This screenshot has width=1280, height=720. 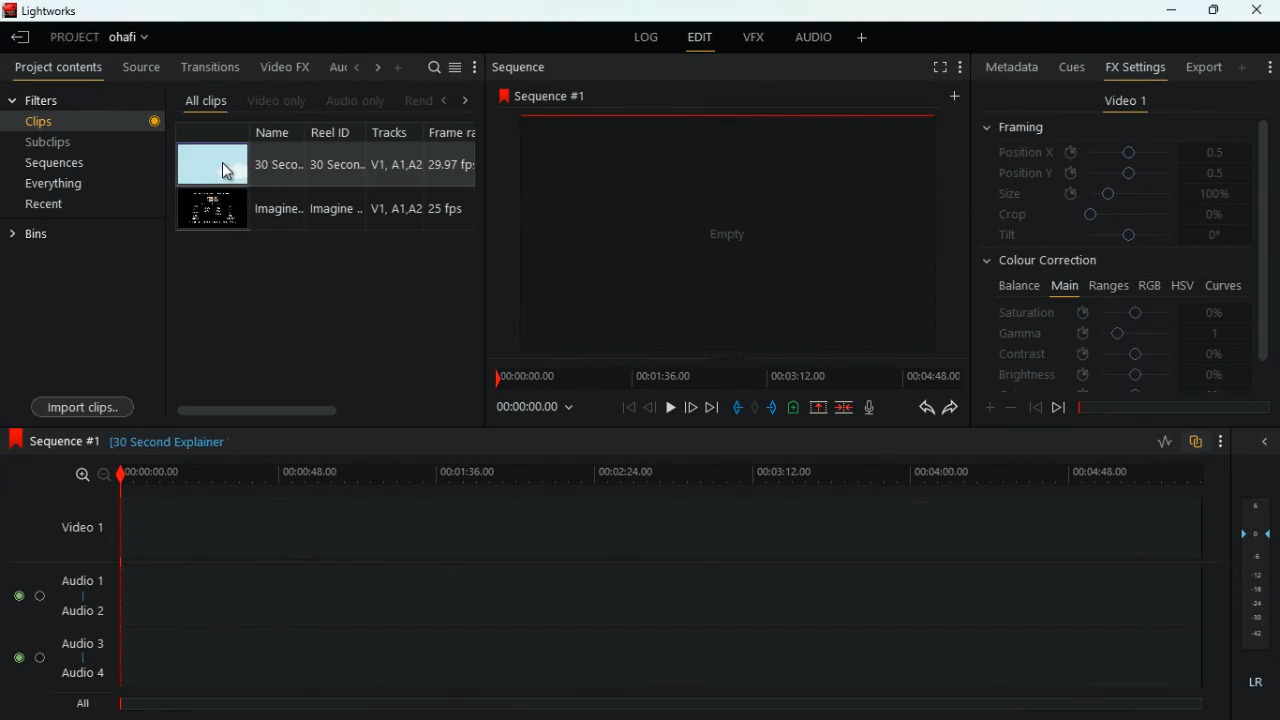 I want to click on gamma, so click(x=1122, y=334).